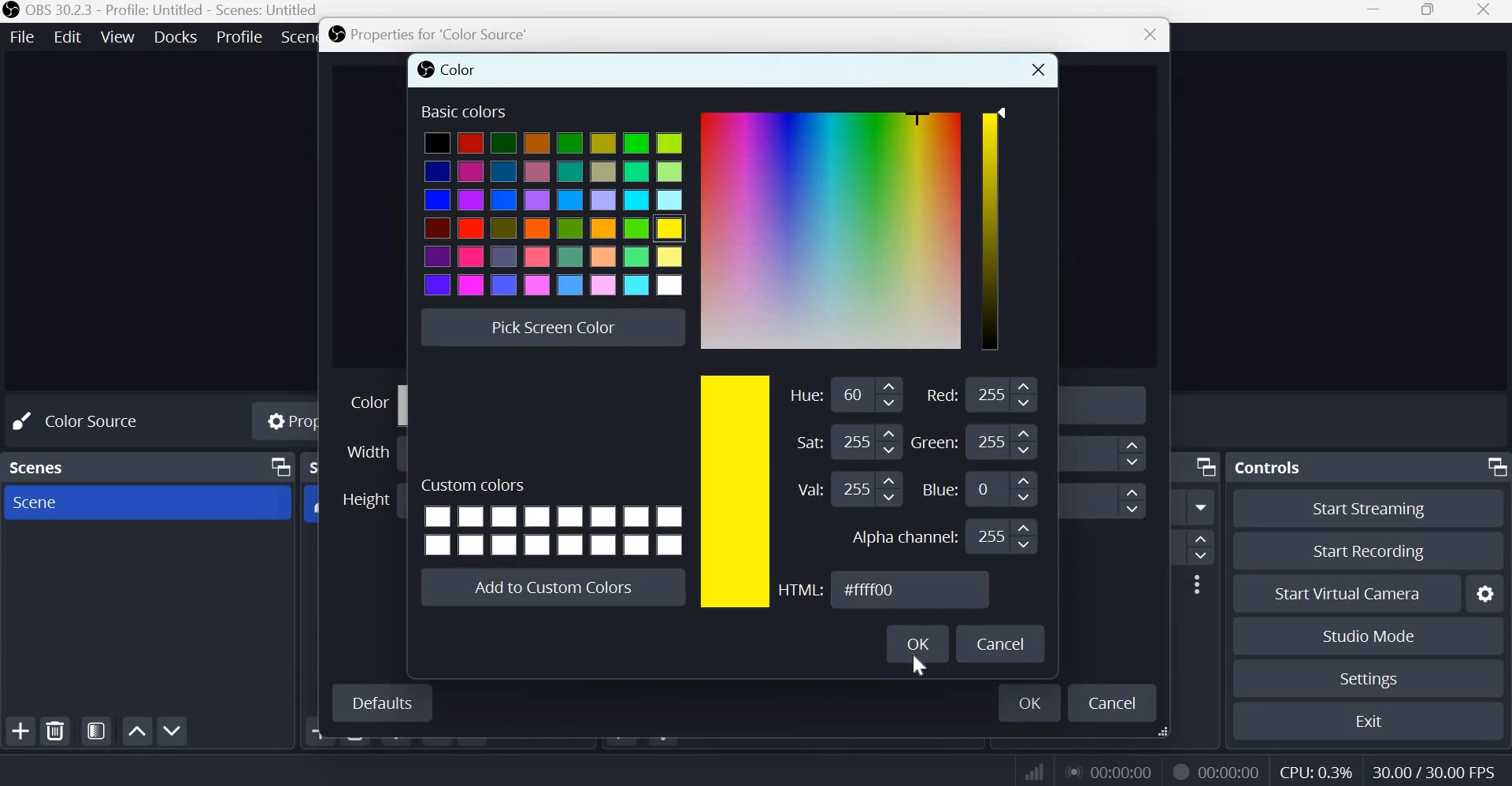  Describe the element at coordinates (907, 536) in the screenshot. I see `Alpha channel: ` at that location.